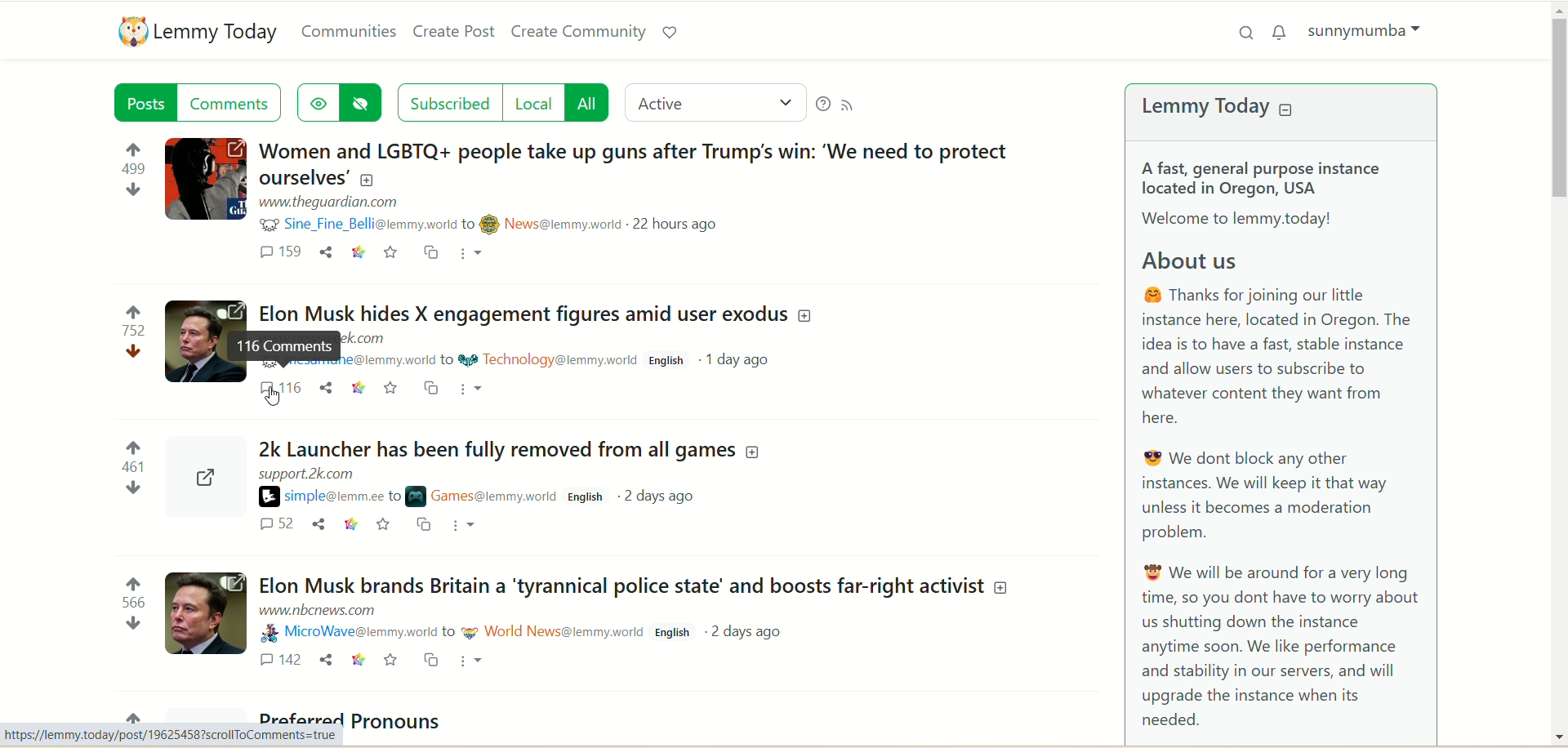  I want to click on support lemmy, so click(672, 33).